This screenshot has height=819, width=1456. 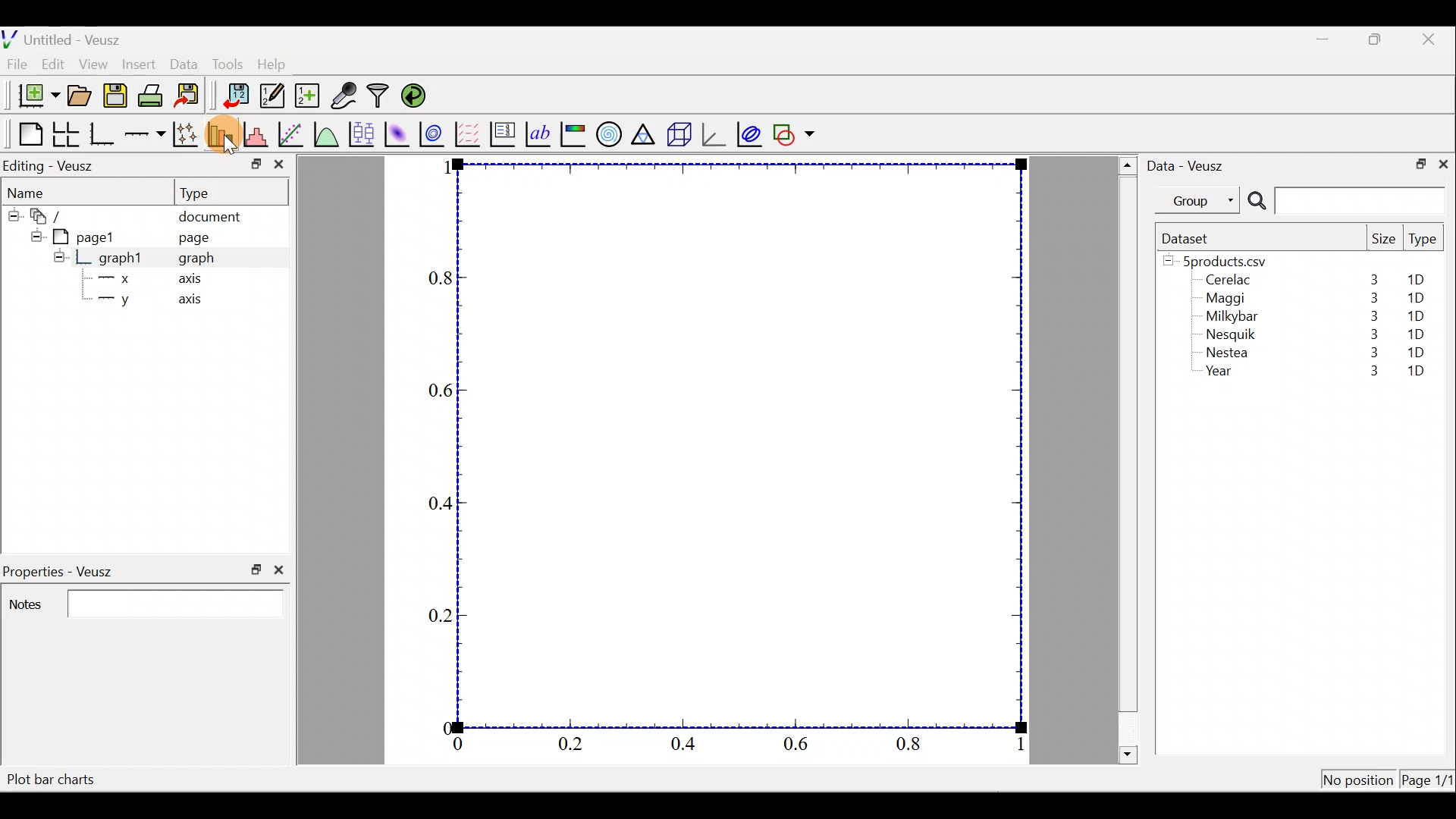 I want to click on Nestea, so click(x=1228, y=353).